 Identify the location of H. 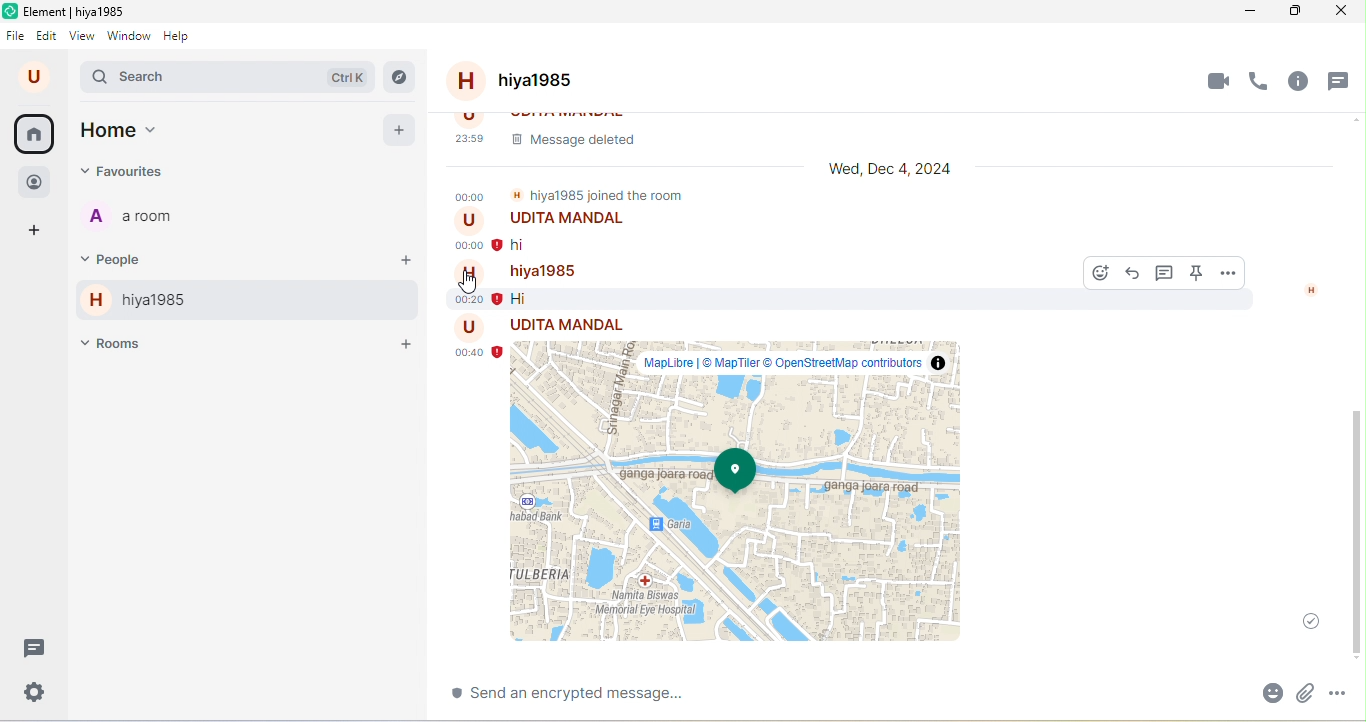
(1311, 291).